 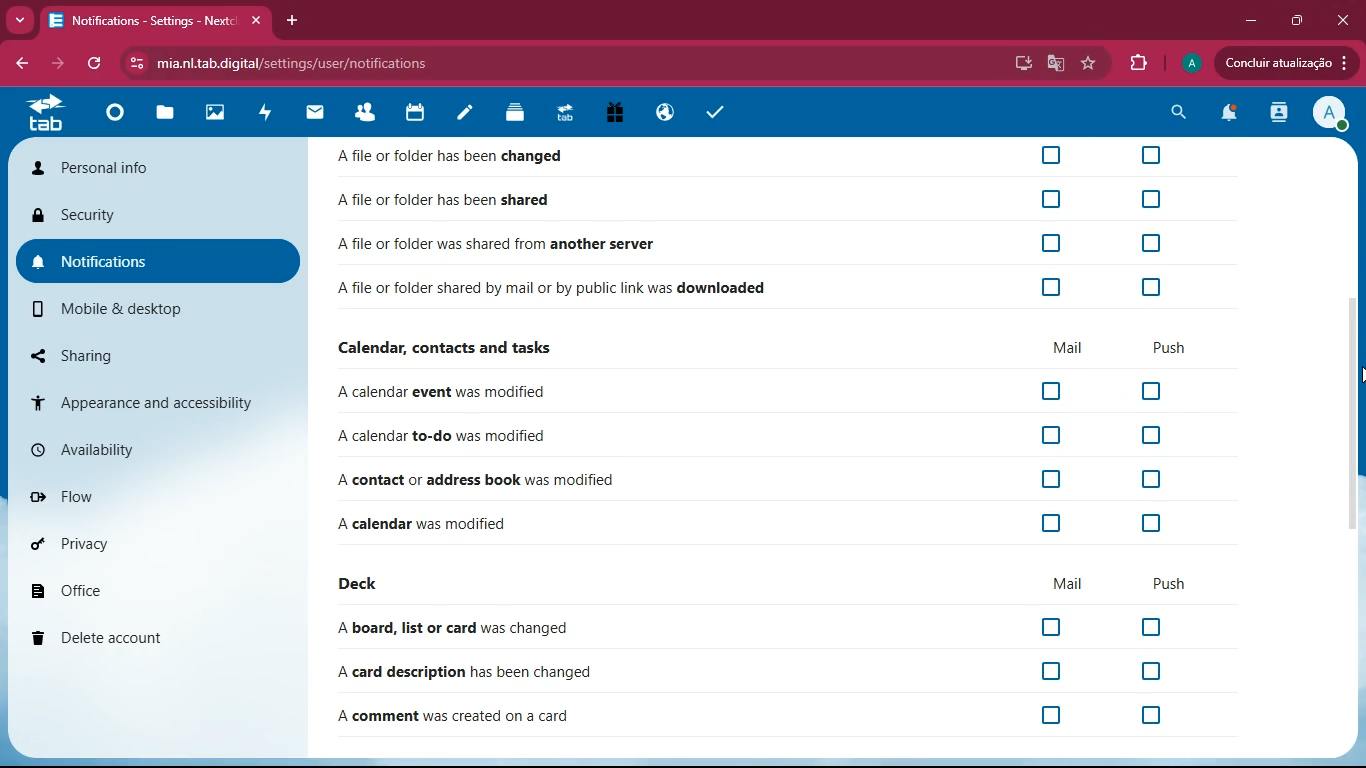 I want to click on Cursor, so click(x=1357, y=377).